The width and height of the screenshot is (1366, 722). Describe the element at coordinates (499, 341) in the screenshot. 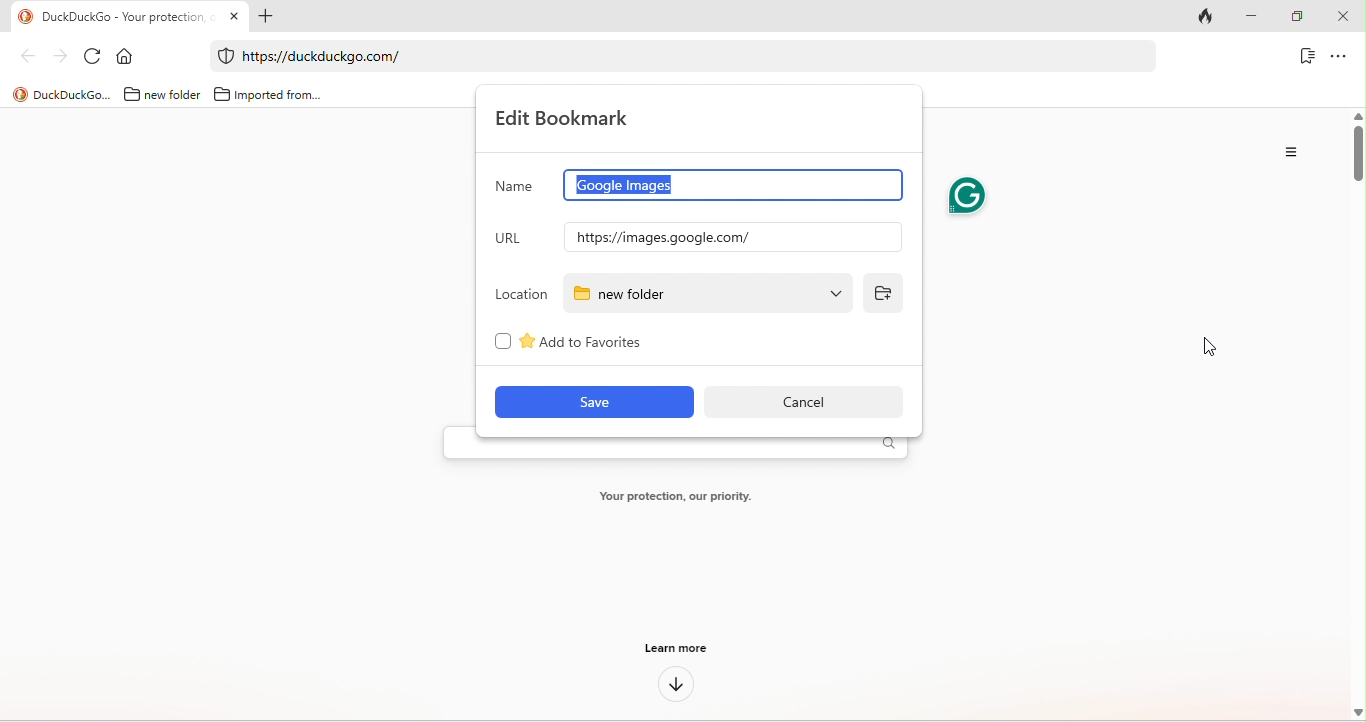

I see `checkbox` at that location.